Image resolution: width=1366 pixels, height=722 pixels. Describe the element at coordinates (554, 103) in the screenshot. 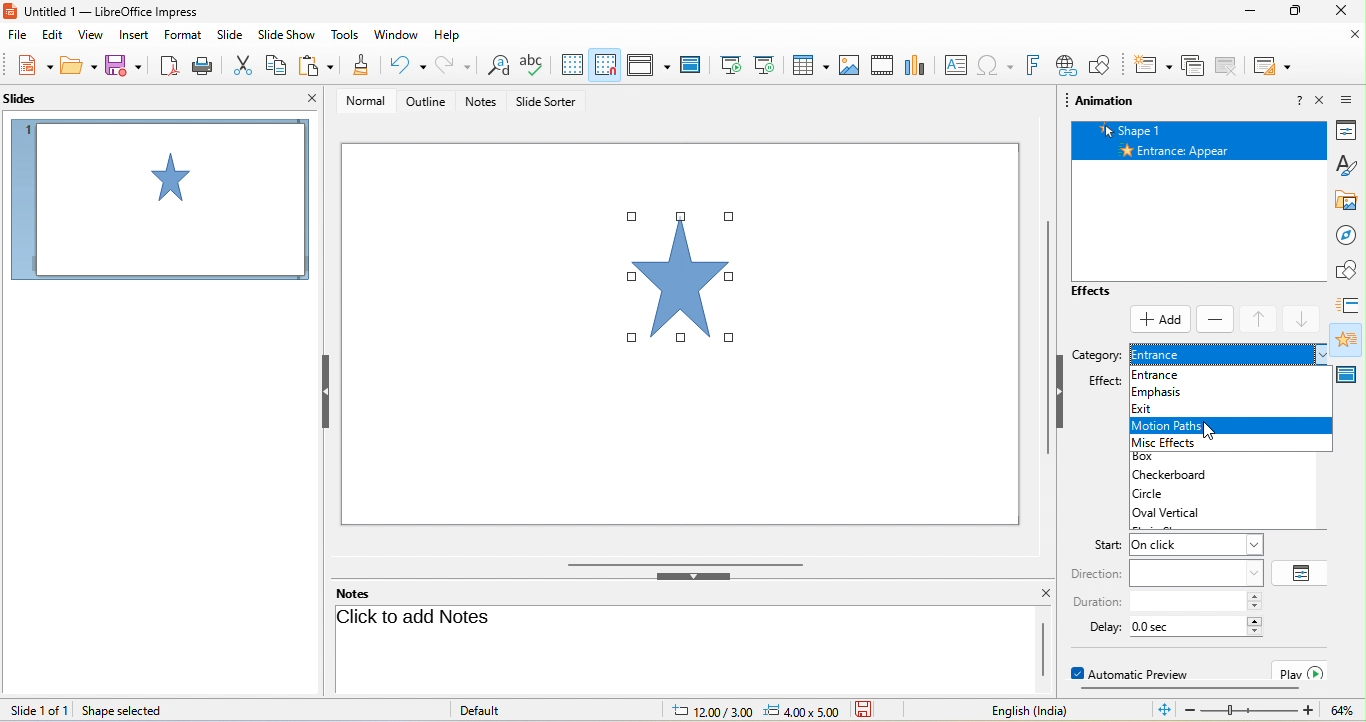

I see `slide sorter` at that location.